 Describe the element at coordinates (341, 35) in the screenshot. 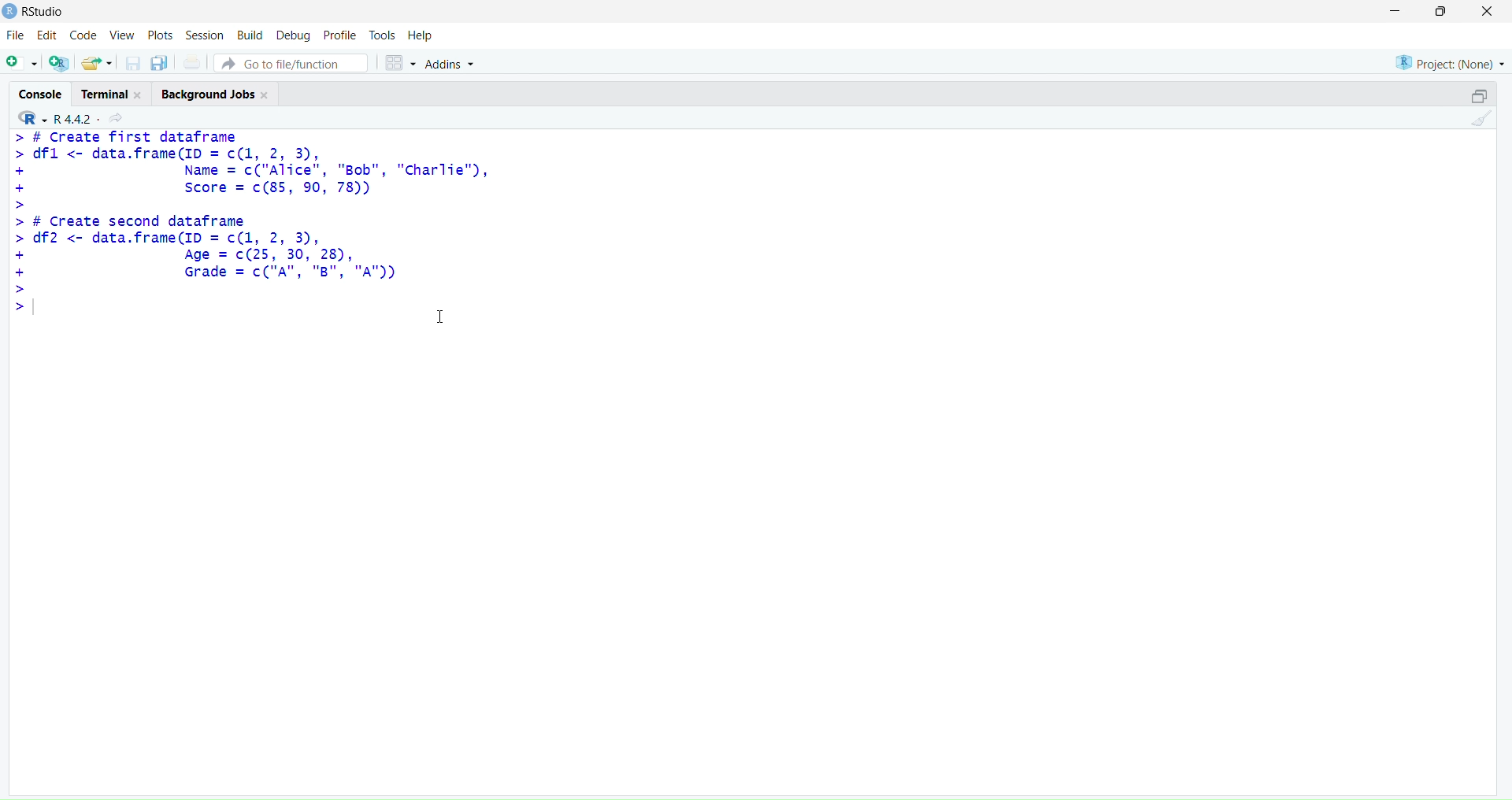

I see `Profile` at that location.